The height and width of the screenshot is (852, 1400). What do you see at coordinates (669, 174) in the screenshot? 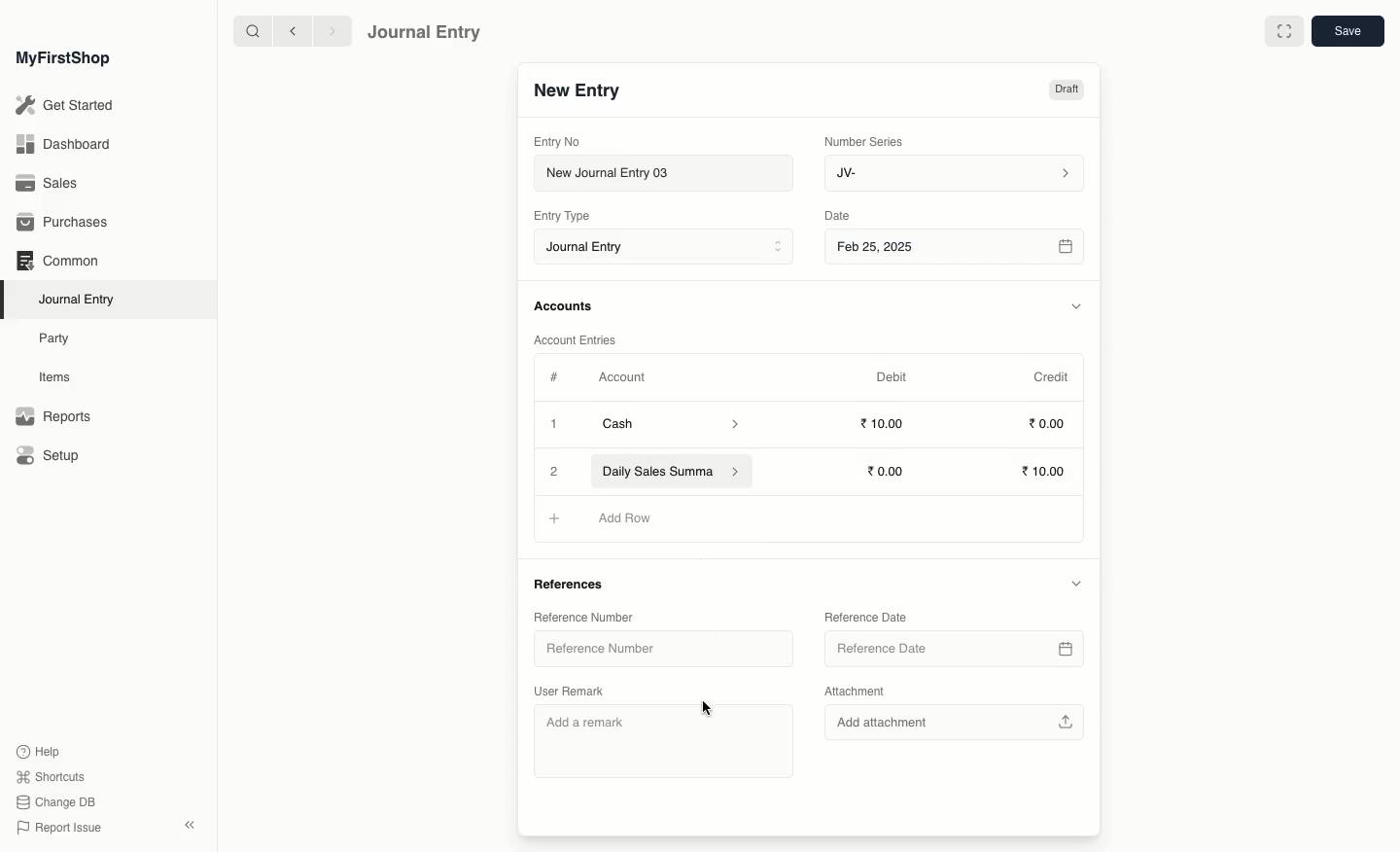
I see `New Journal Entry 03` at bounding box center [669, 174].